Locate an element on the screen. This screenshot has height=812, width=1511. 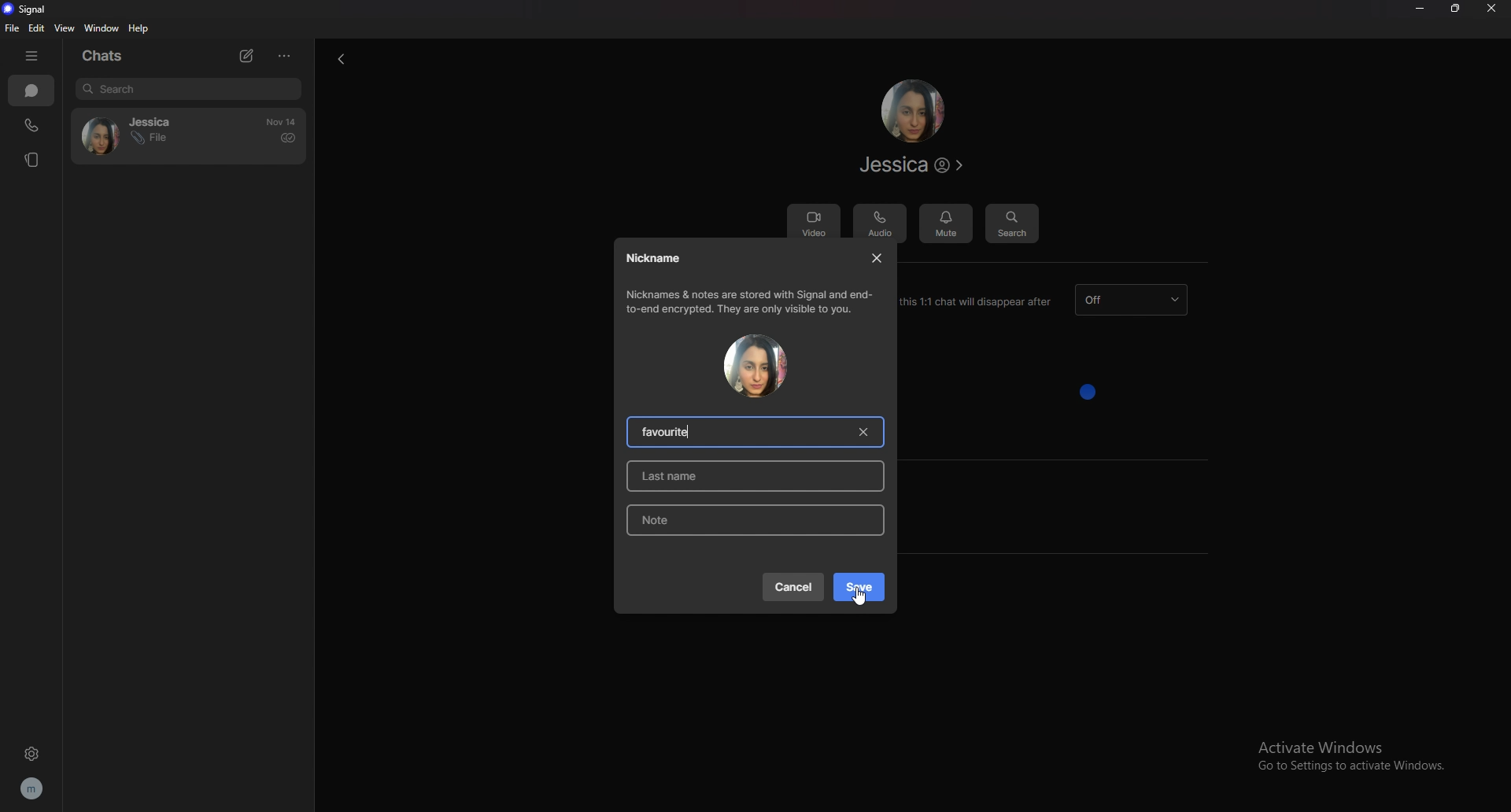
cancel is located at coordinates (792, 586).